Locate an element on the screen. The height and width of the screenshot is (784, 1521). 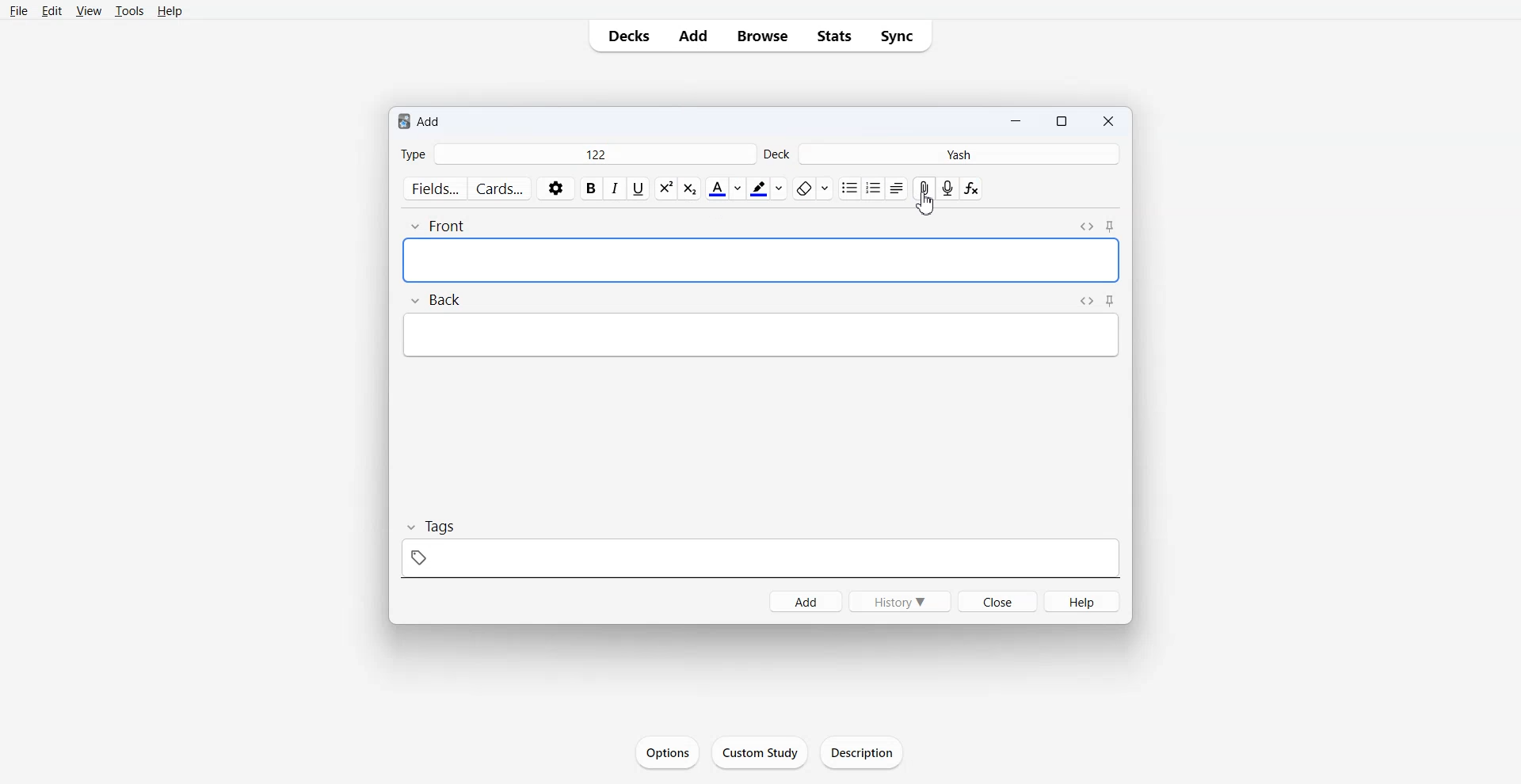
History is located at coordinates (899, 601).